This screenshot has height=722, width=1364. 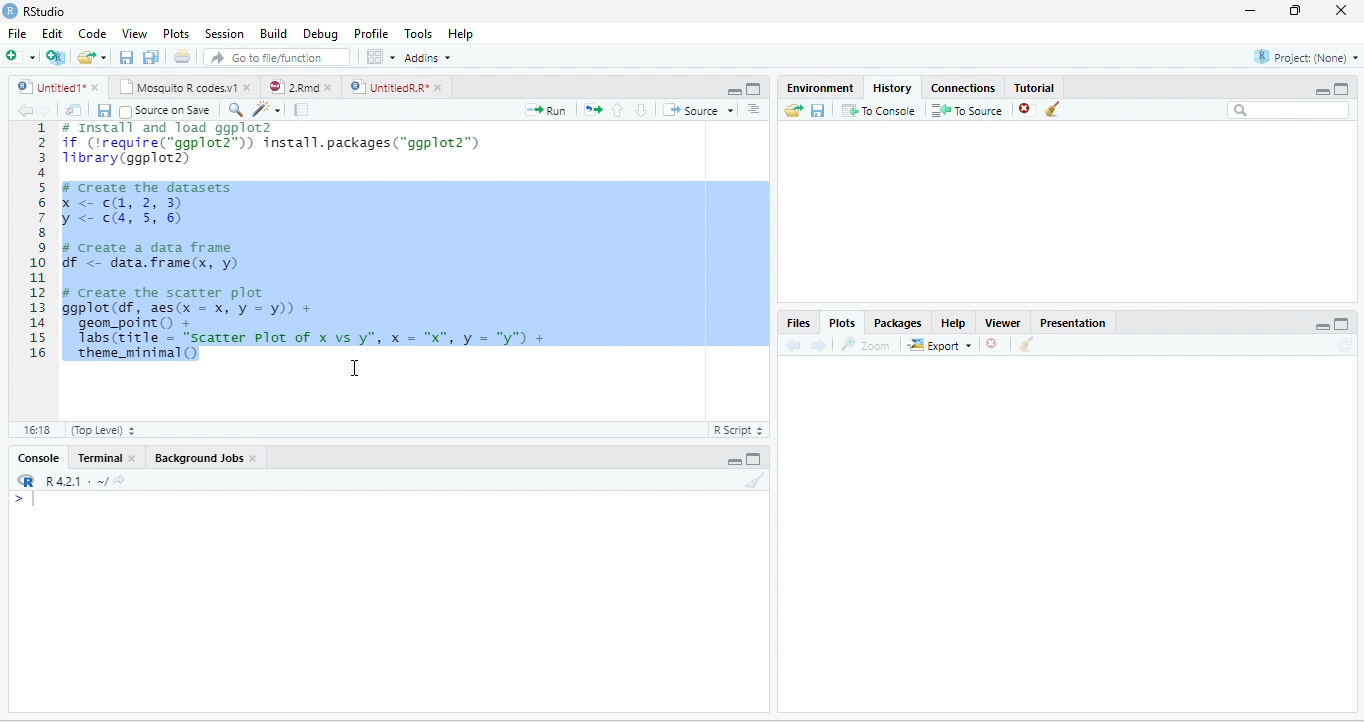 I want to click on Go back to previous source location, so click(x=24, y=111).